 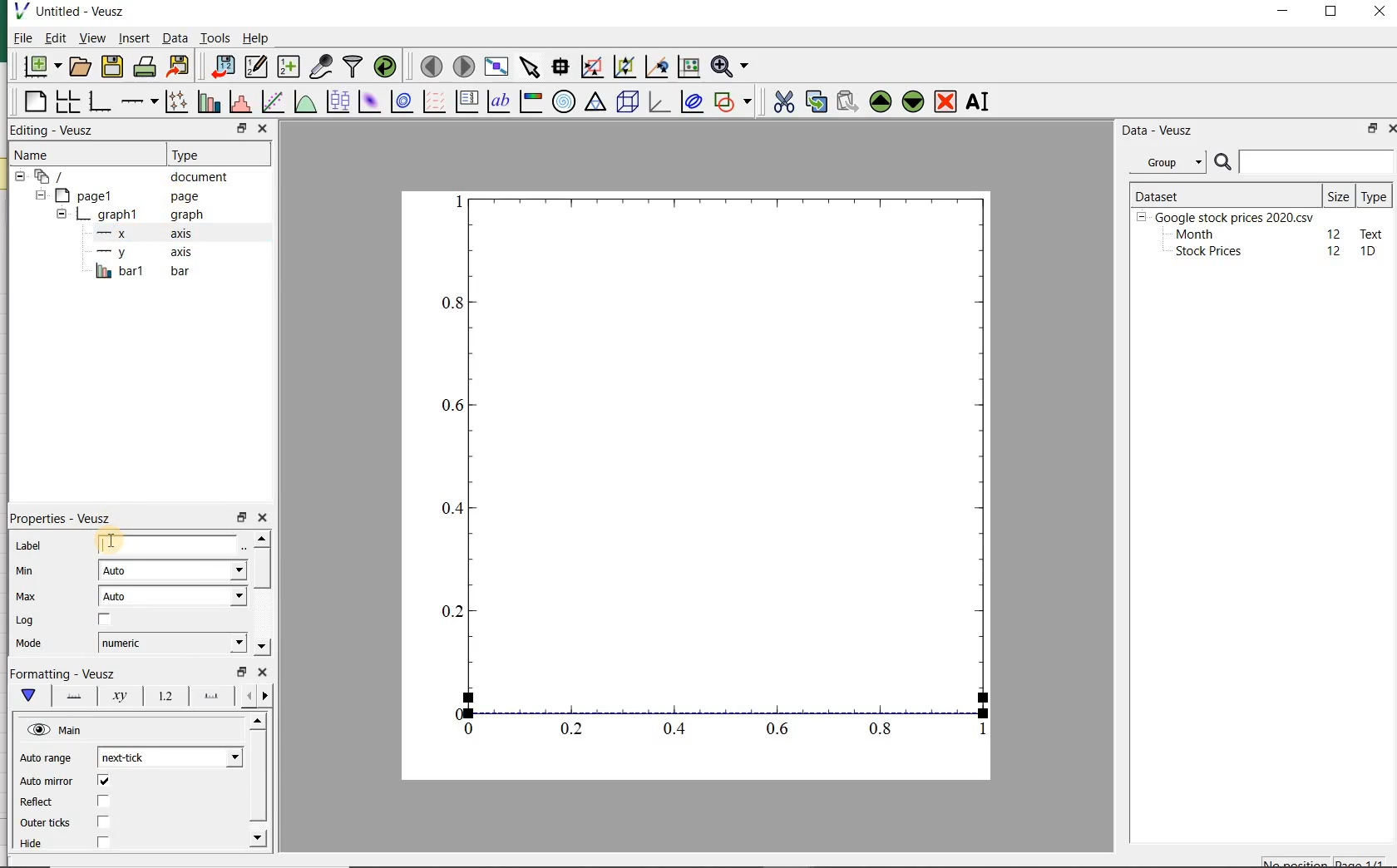 What do you see at coordinates (167, 757) in the screenshot?
I see `next tick` at bounding box center [167, 757].